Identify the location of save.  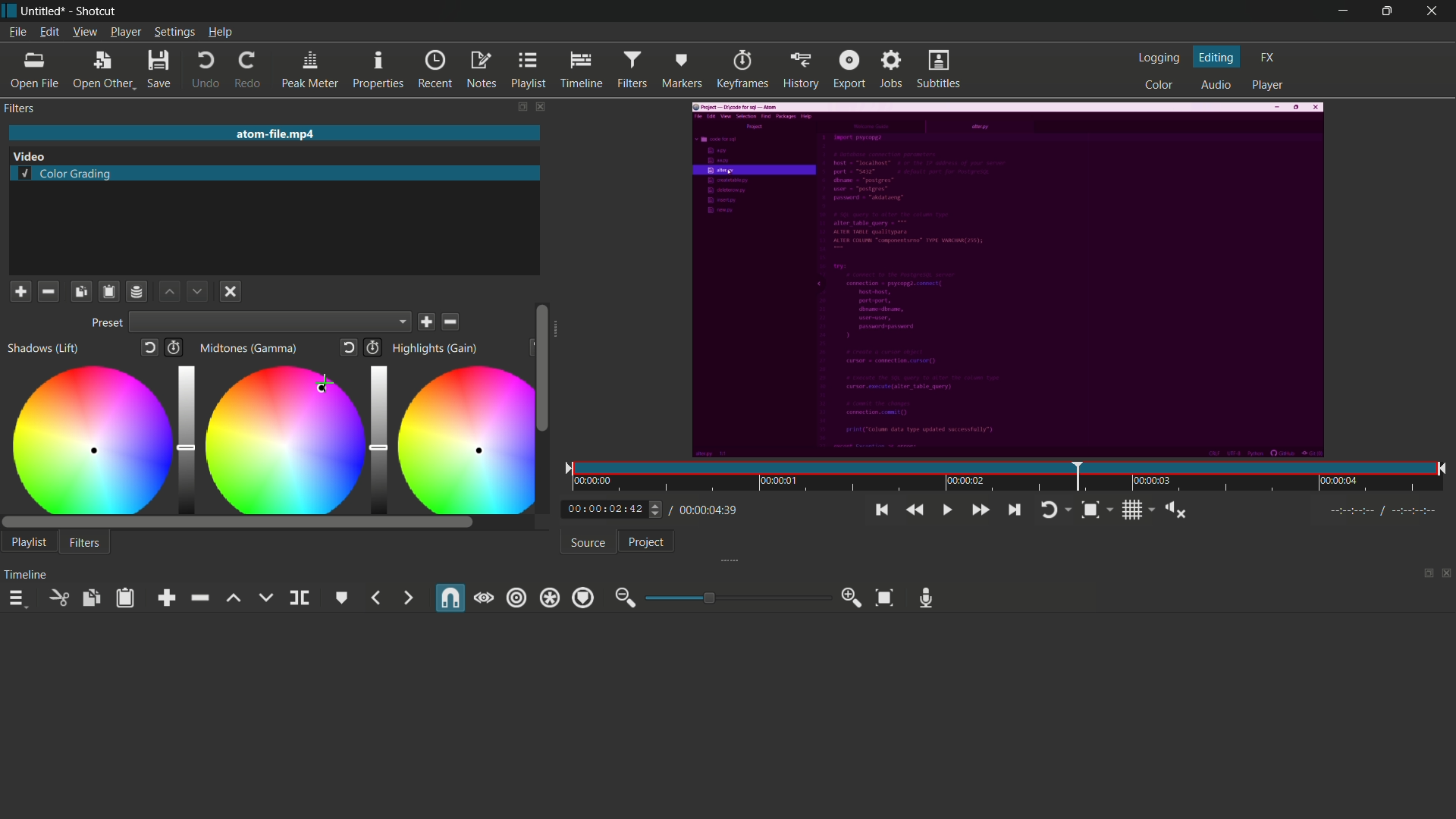
(428, 322).